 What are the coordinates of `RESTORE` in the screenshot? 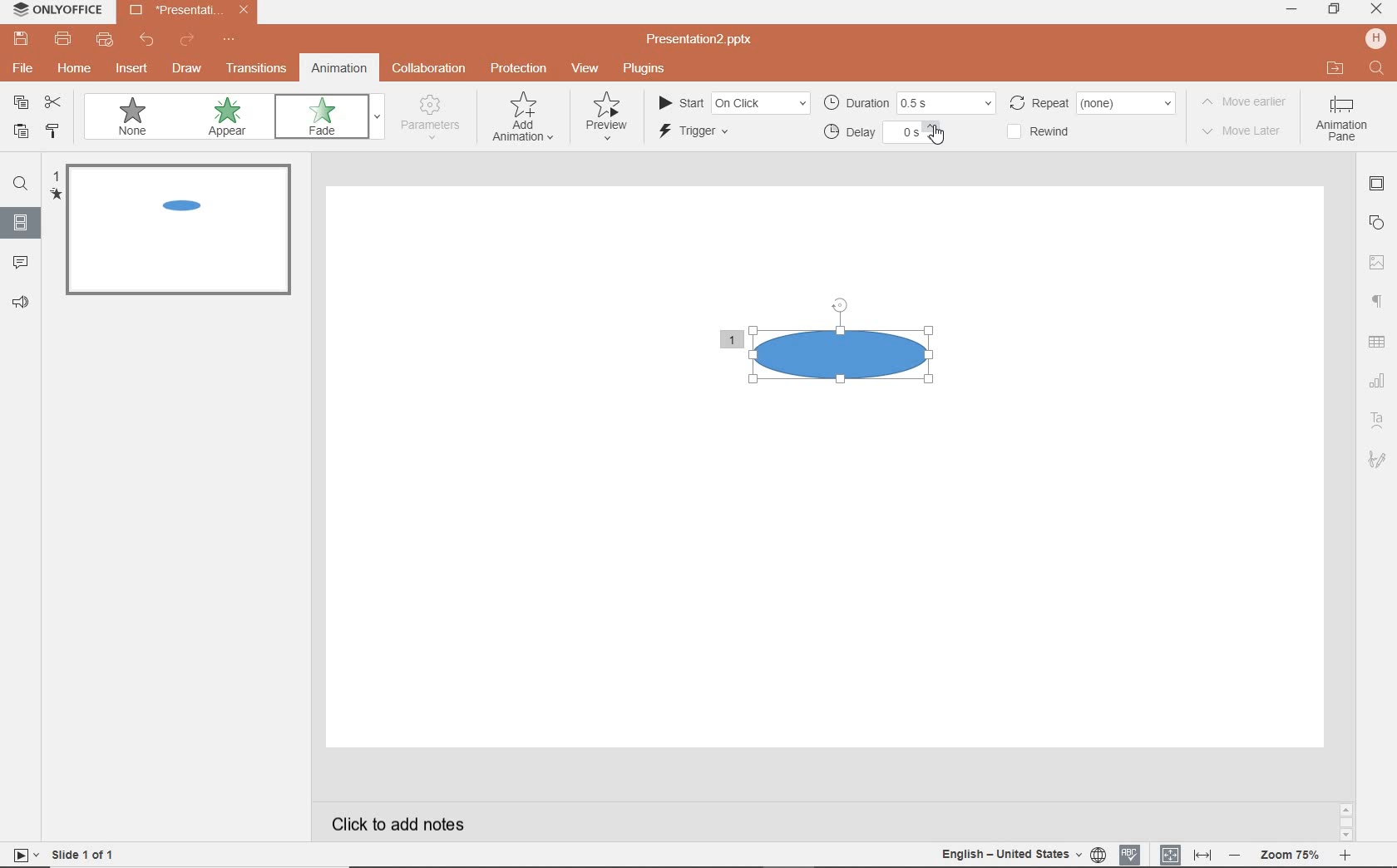 It's located at (1334, 11).